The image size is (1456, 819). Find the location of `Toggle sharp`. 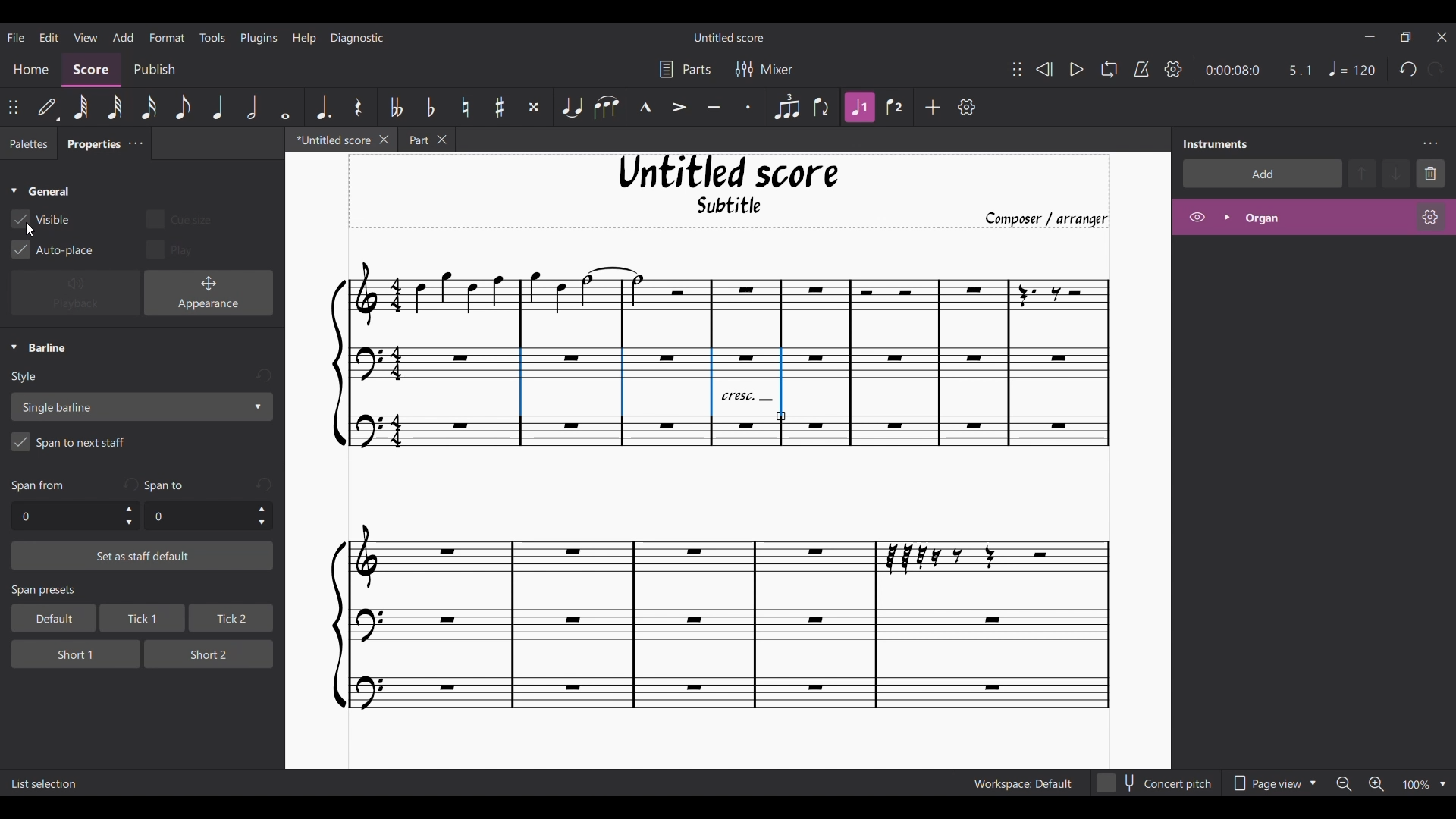

Toggle sharp is located at coordinates (500, 108).